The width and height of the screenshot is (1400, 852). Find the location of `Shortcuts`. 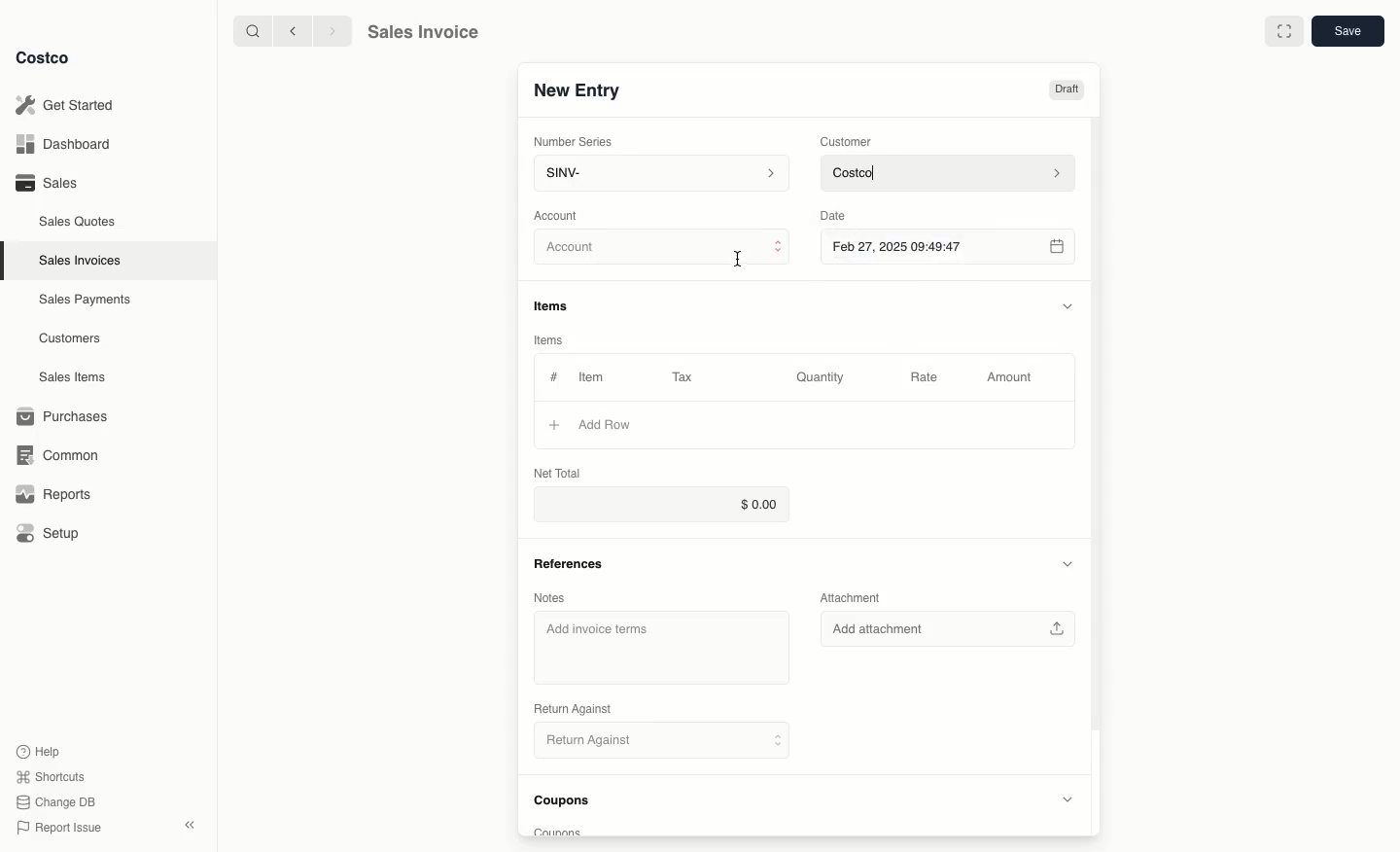

Shortcuts is located at coordinates (50, 775).